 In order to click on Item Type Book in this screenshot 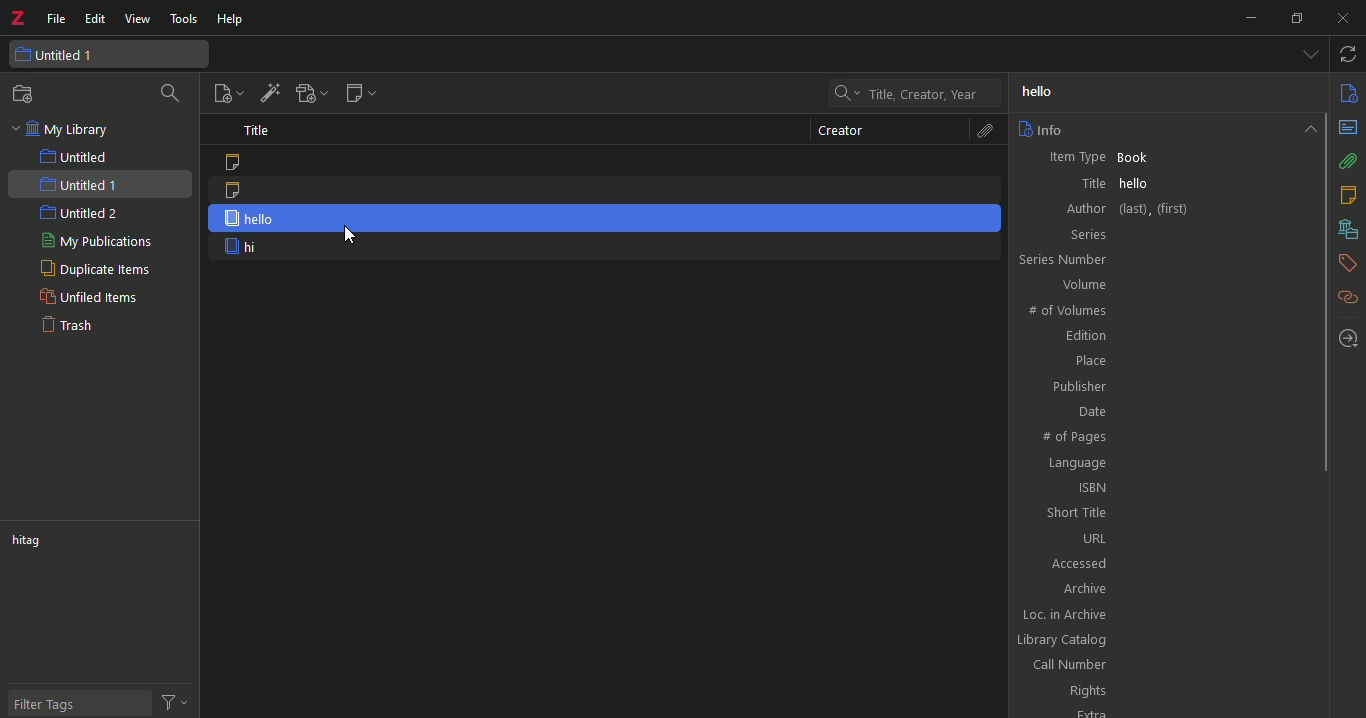, I will do `click(1097, 158)`.